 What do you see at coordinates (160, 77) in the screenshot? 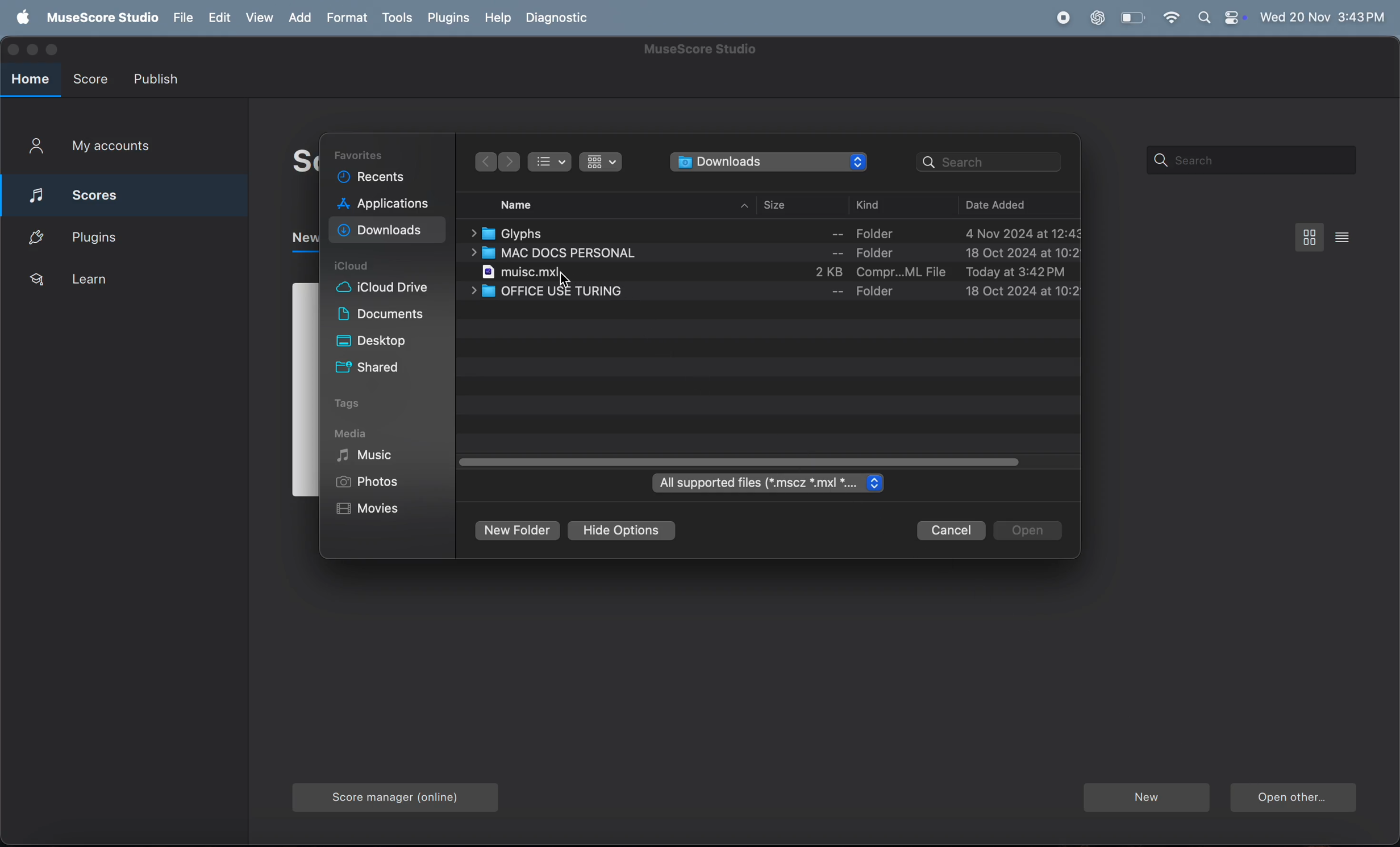
I see `publish` at bounding box center [160, 77].